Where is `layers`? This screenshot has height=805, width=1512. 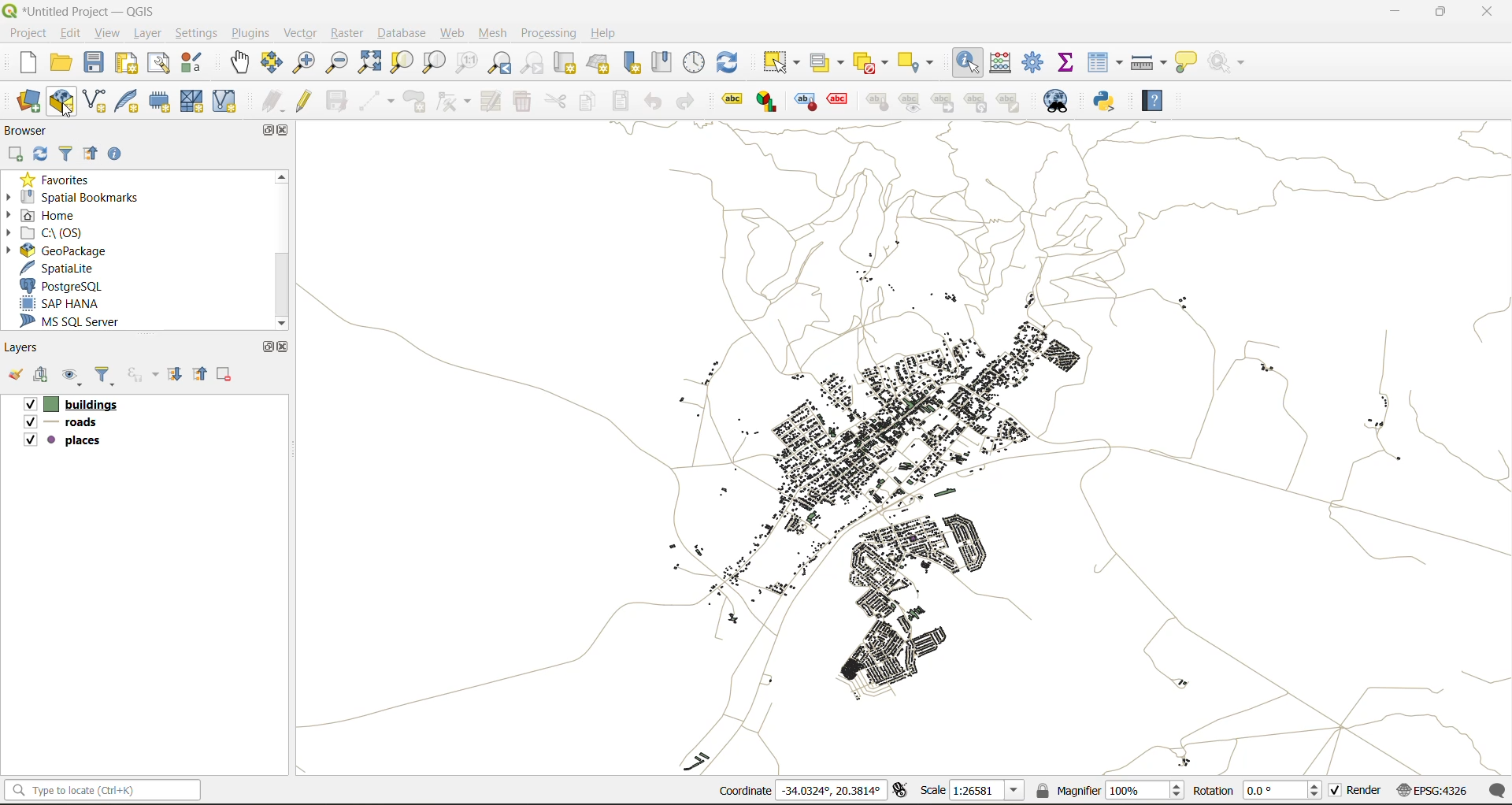
layers is located at coordinates (918, 449).